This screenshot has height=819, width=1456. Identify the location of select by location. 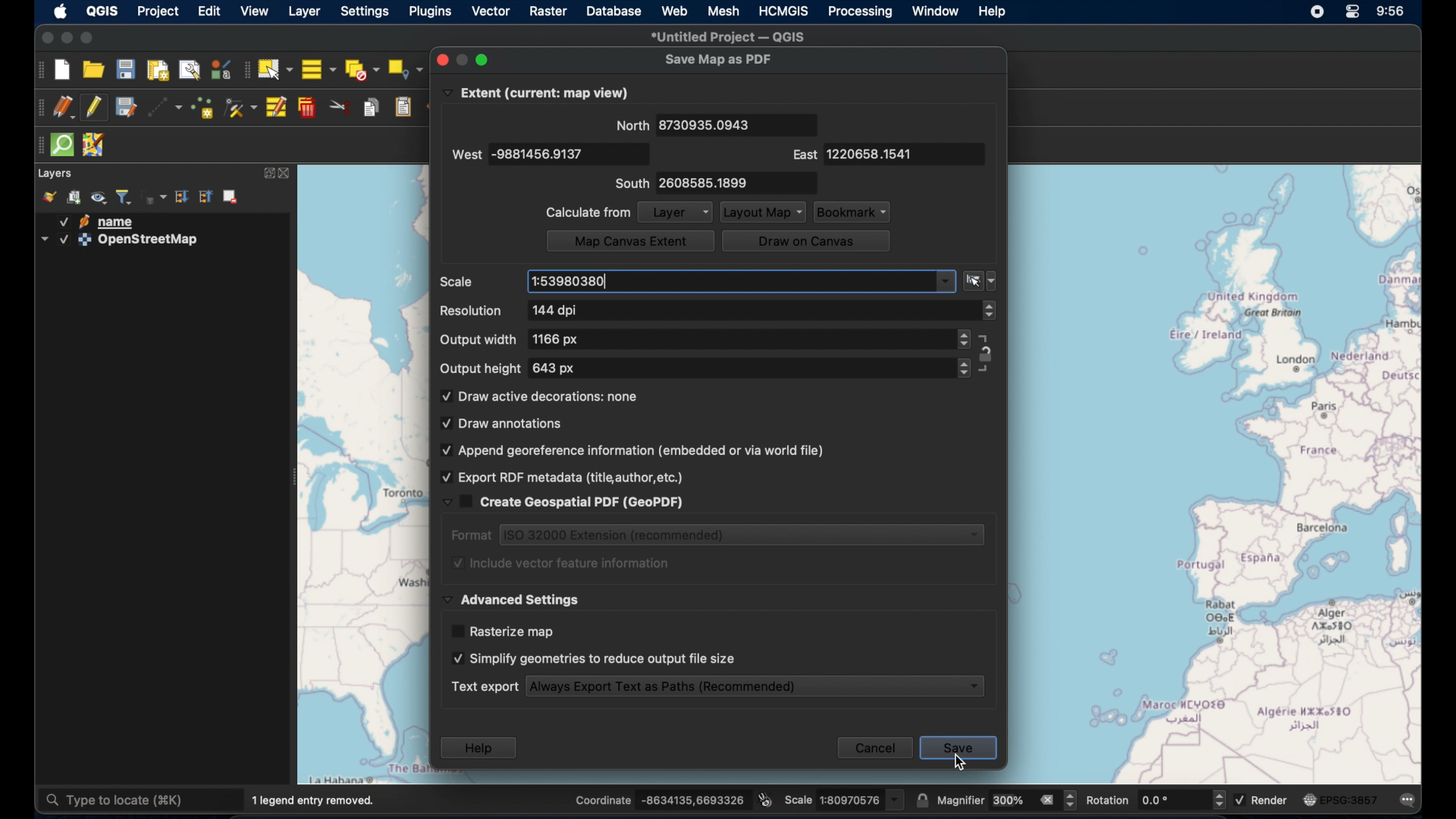
(405, 70).